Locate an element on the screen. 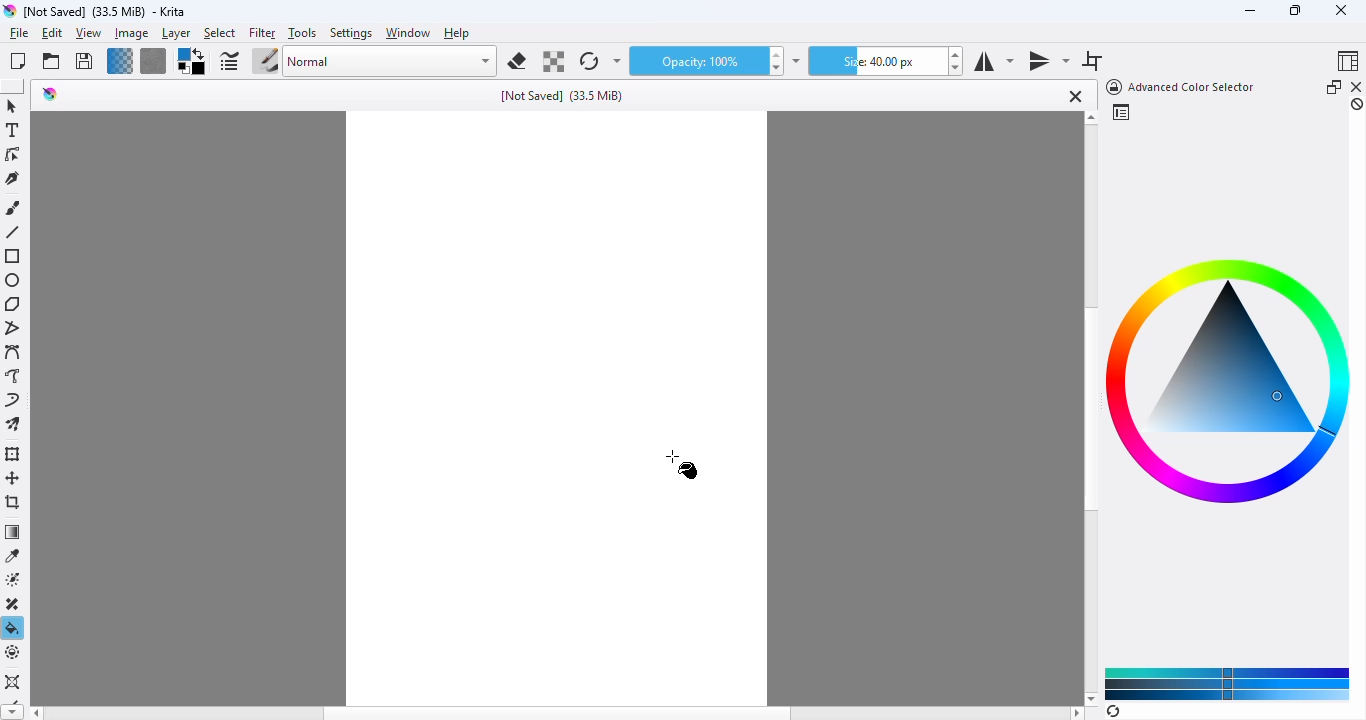  logo is located at coordinates (50, 94).